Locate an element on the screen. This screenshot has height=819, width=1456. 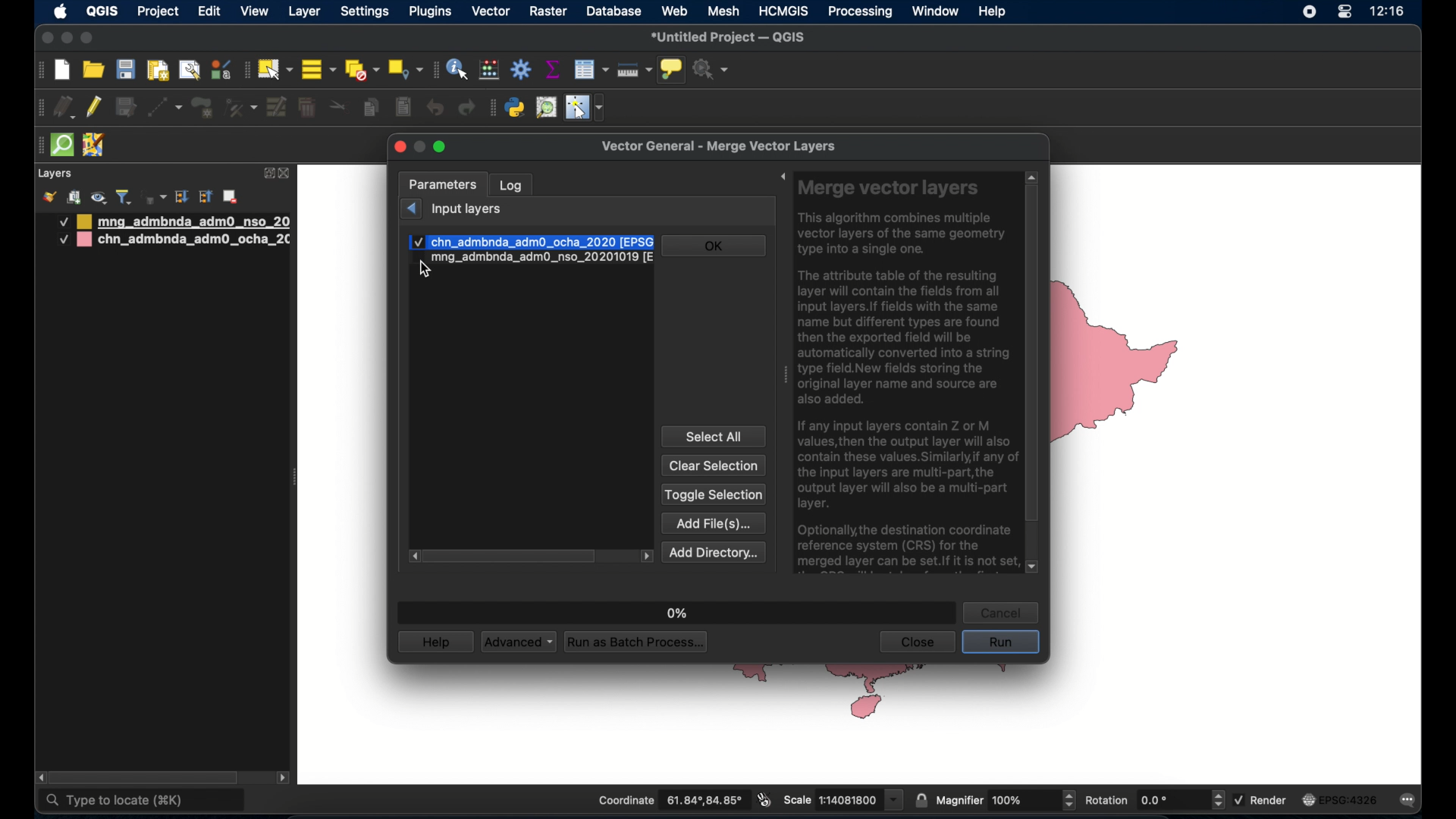
identify features is located at coordinates (457, 69).